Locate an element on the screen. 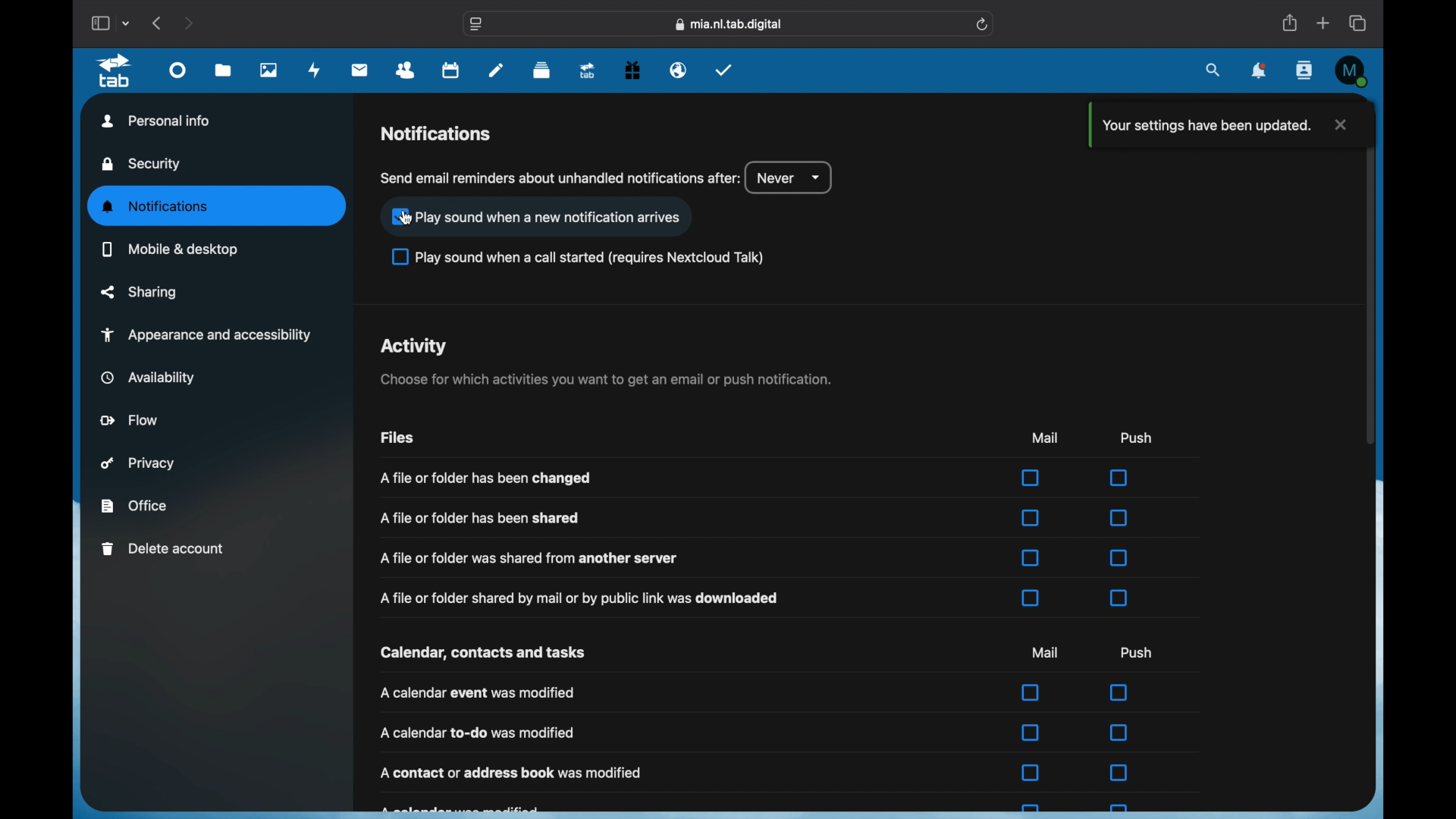 The image size is (1456, 819). flow is located at coordinates (130, 419).